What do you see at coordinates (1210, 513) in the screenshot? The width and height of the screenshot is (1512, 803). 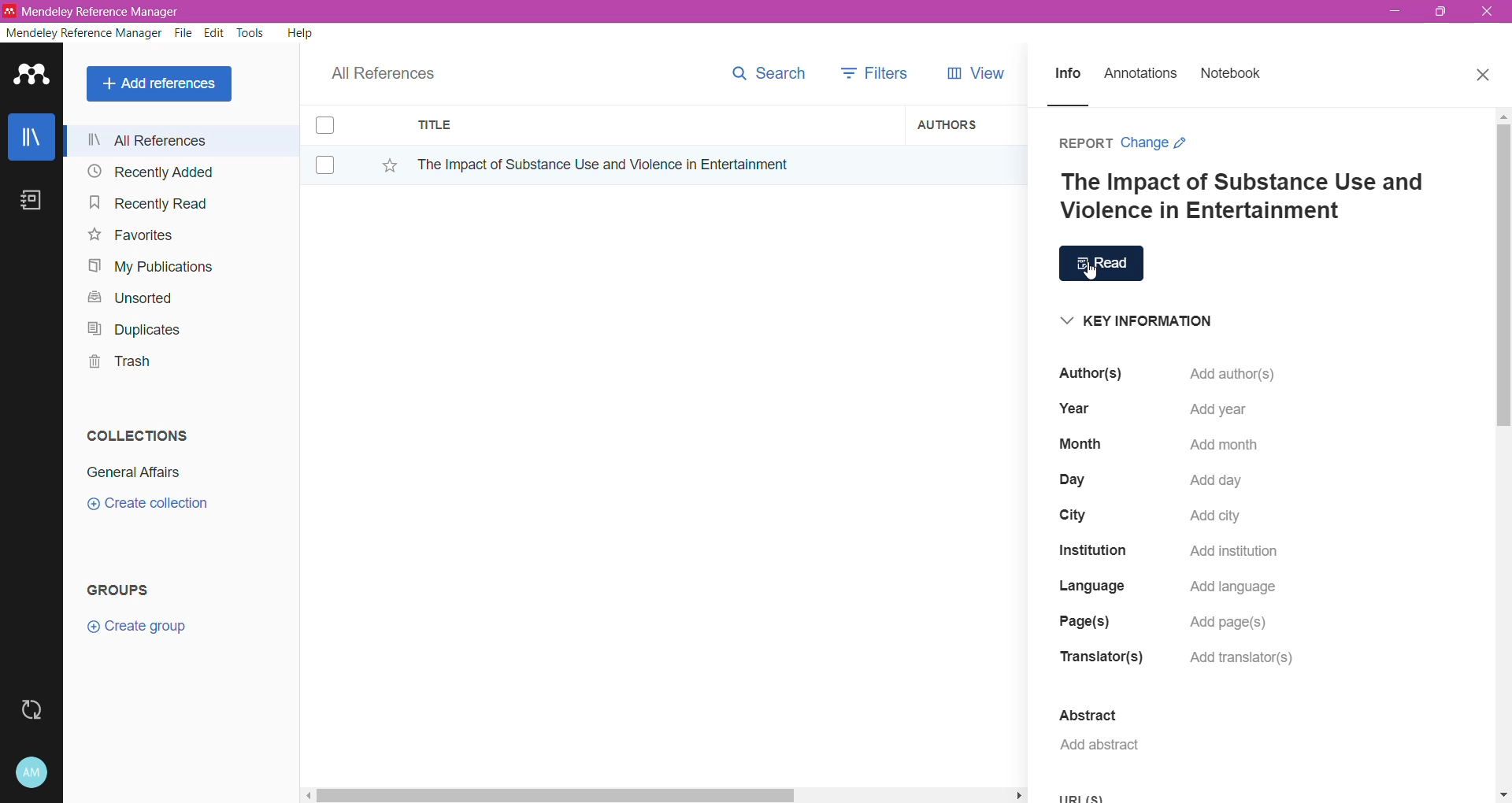 I see `Click to Add city` at bounding box center [1210, 513].